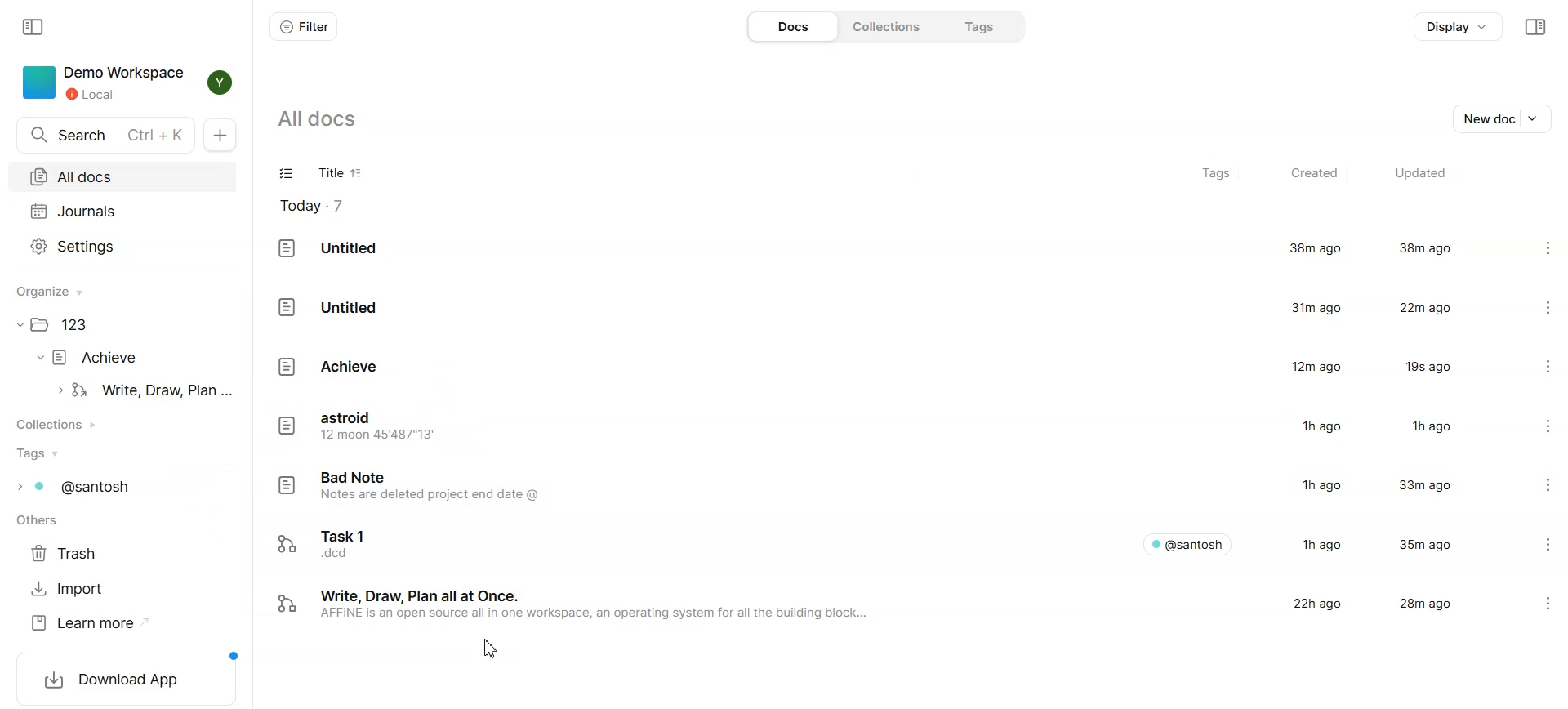 The width and height of the screenshot is (1568, 709). What do you see at coordinates (90, 623) in the screenshot?
I see `Learn more` at bounding box center [90, 623].